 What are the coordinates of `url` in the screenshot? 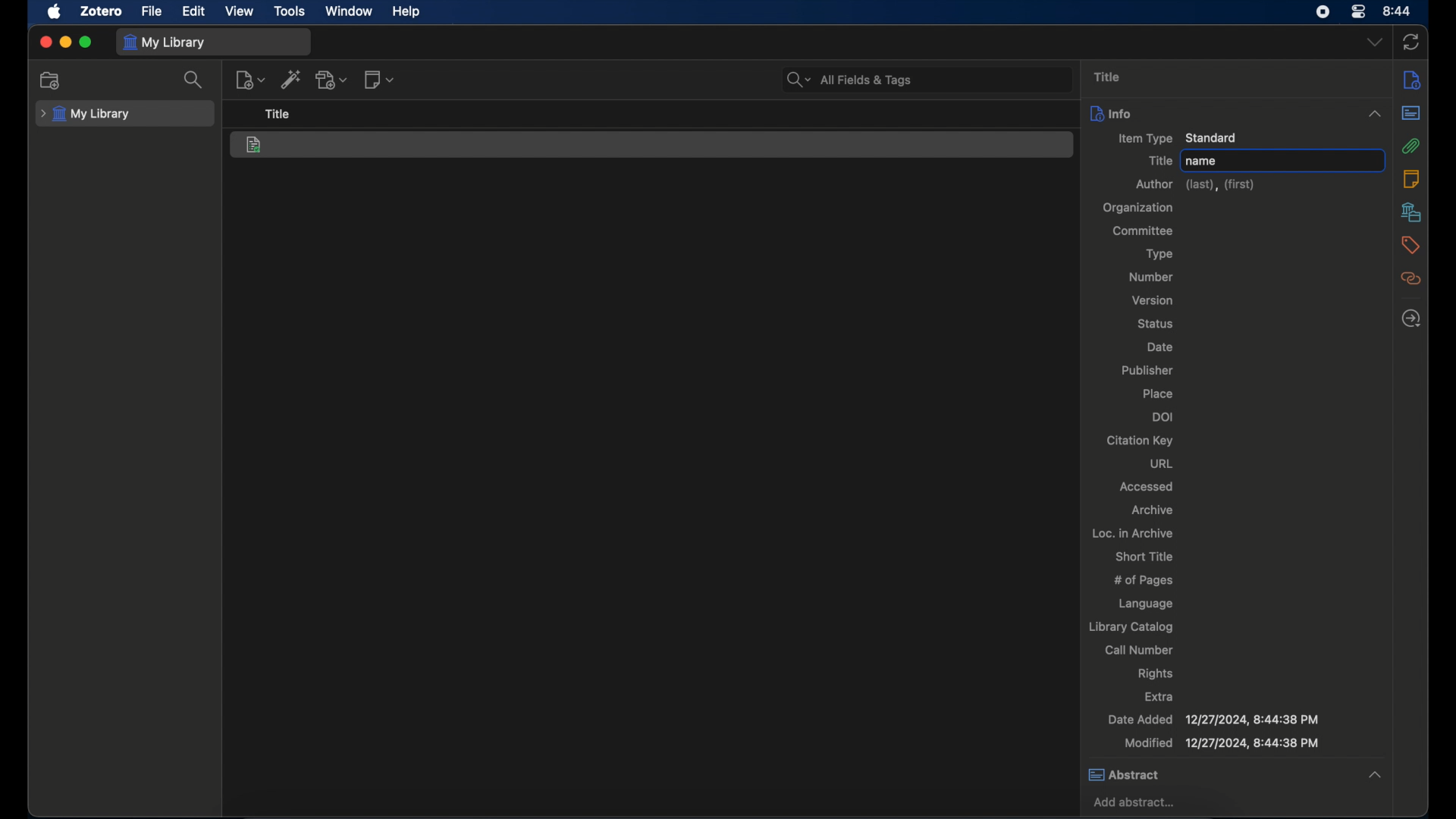 It's located at (1161, 463).